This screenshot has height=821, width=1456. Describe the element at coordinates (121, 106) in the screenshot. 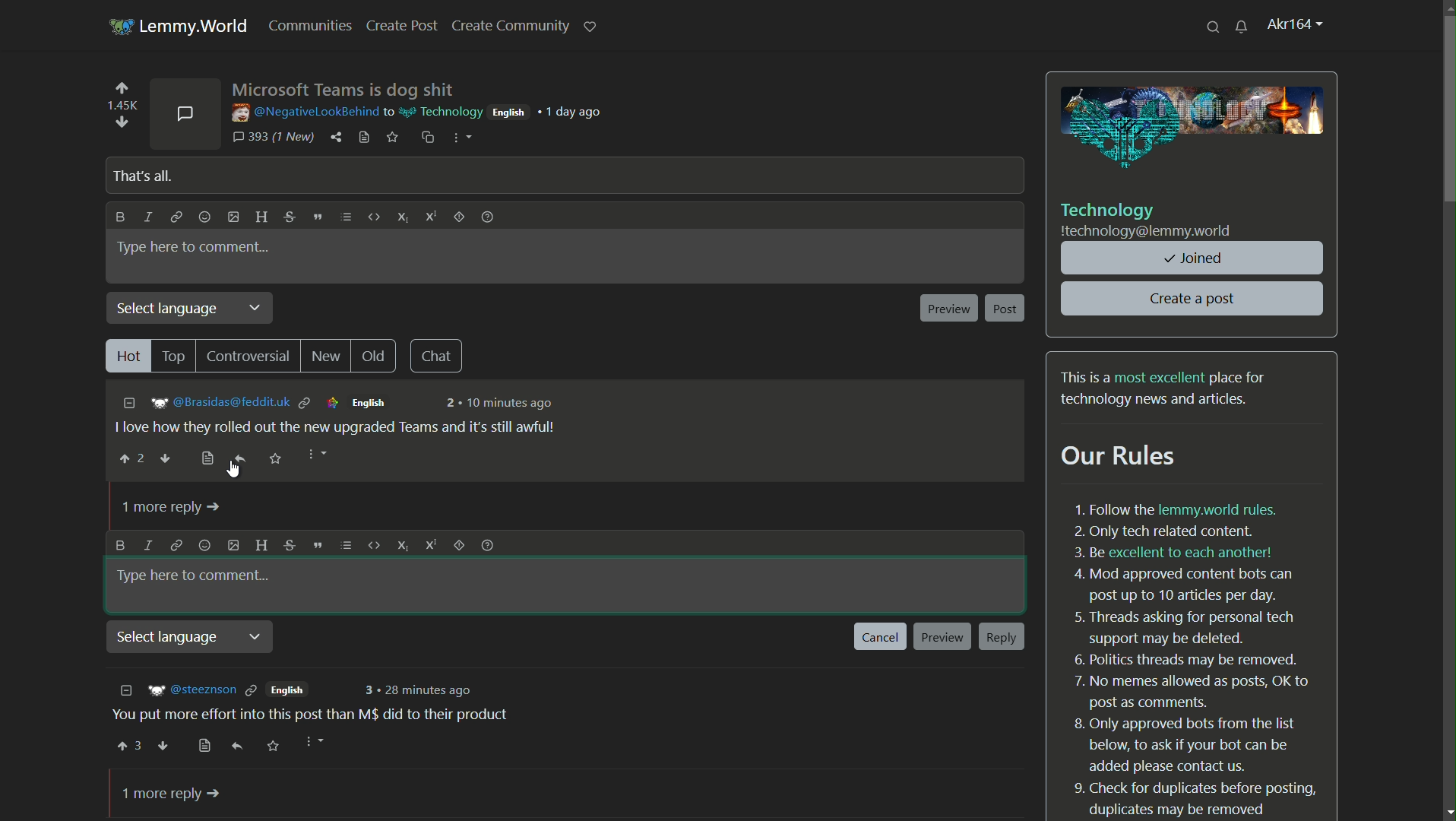

I see `number of votes` at that location.